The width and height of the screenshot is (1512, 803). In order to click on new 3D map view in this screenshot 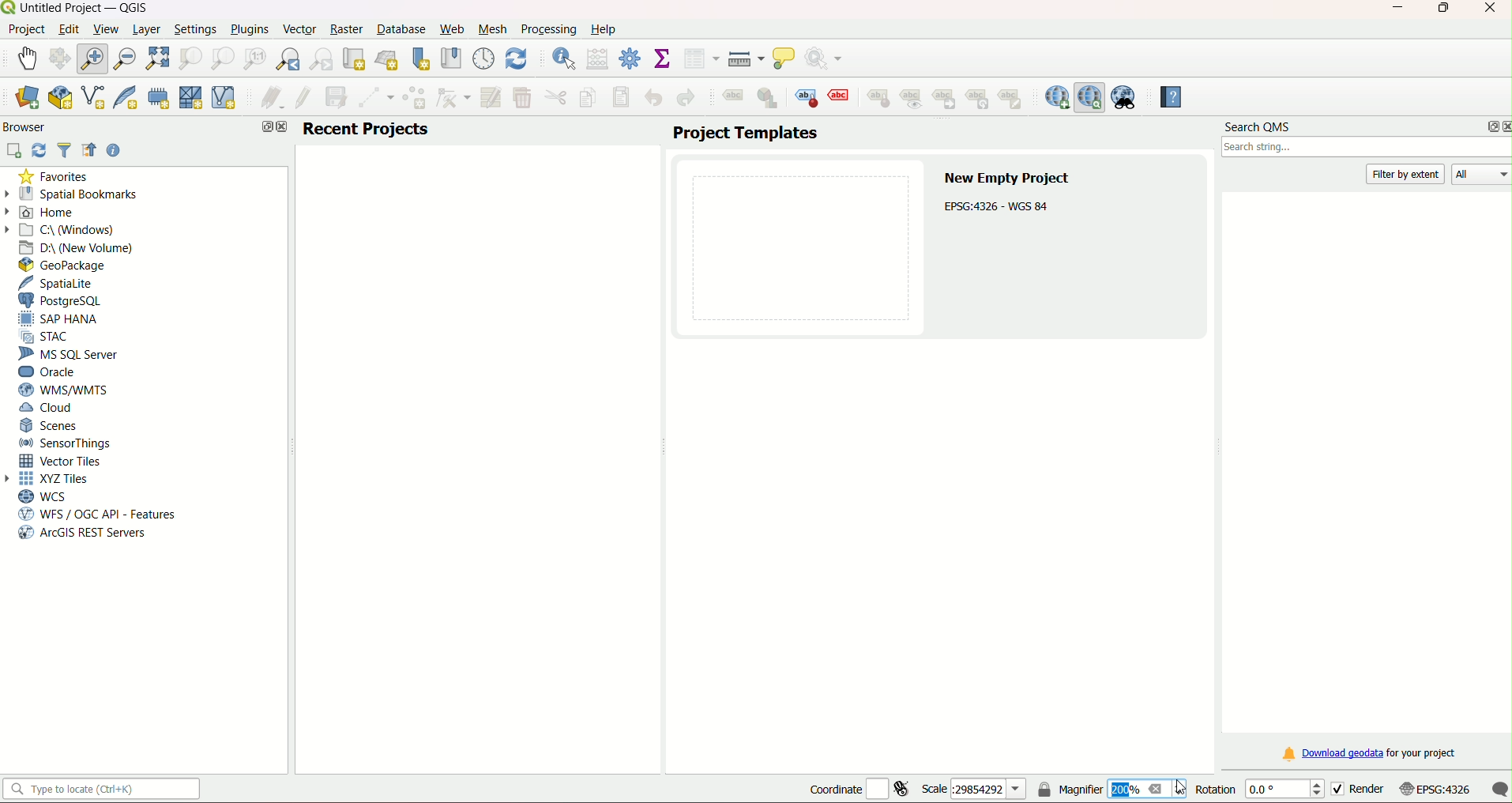, I will do `click(389, 58)`.